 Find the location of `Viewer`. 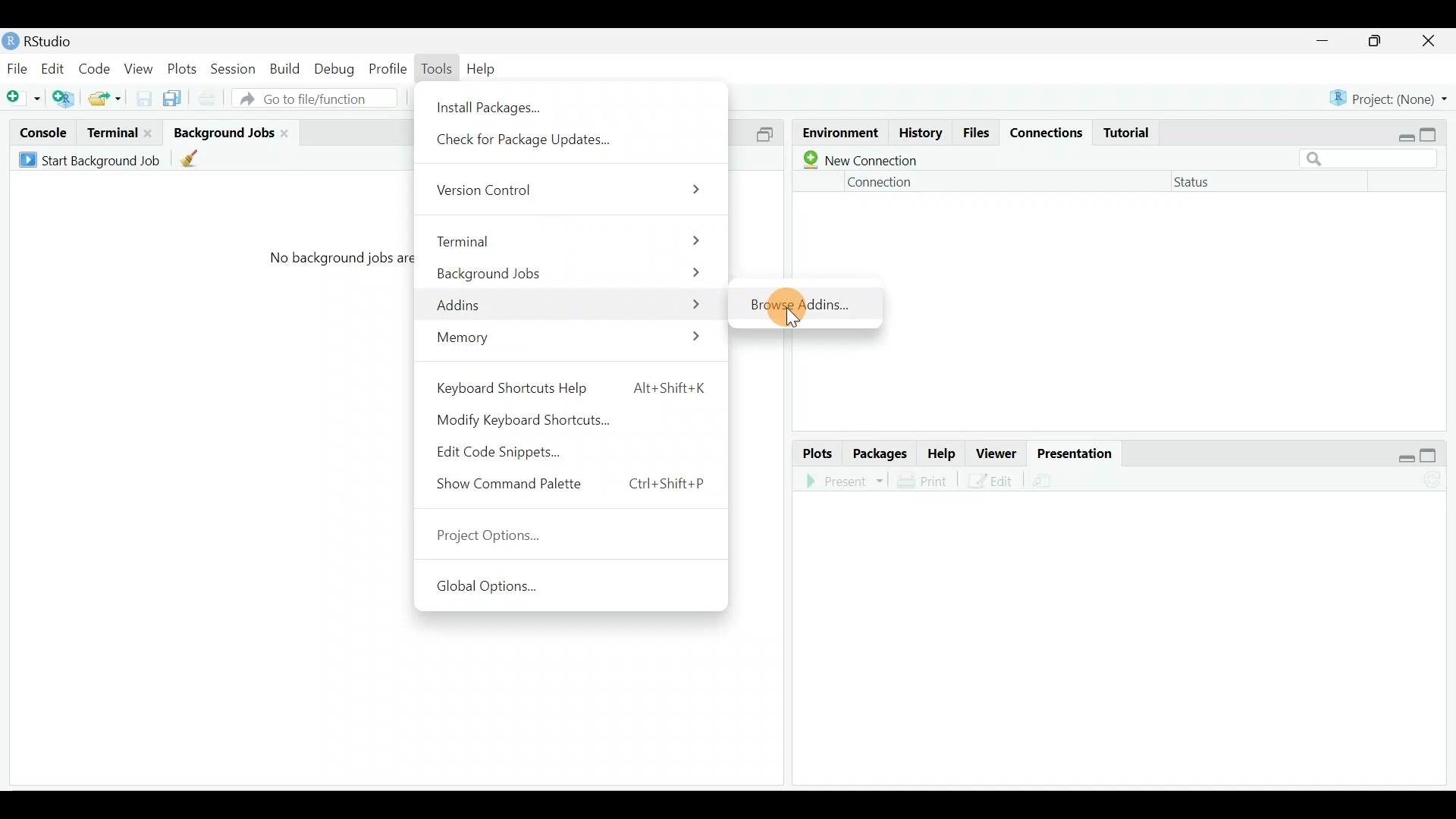

Viewer is located at coordinates (993, 449).